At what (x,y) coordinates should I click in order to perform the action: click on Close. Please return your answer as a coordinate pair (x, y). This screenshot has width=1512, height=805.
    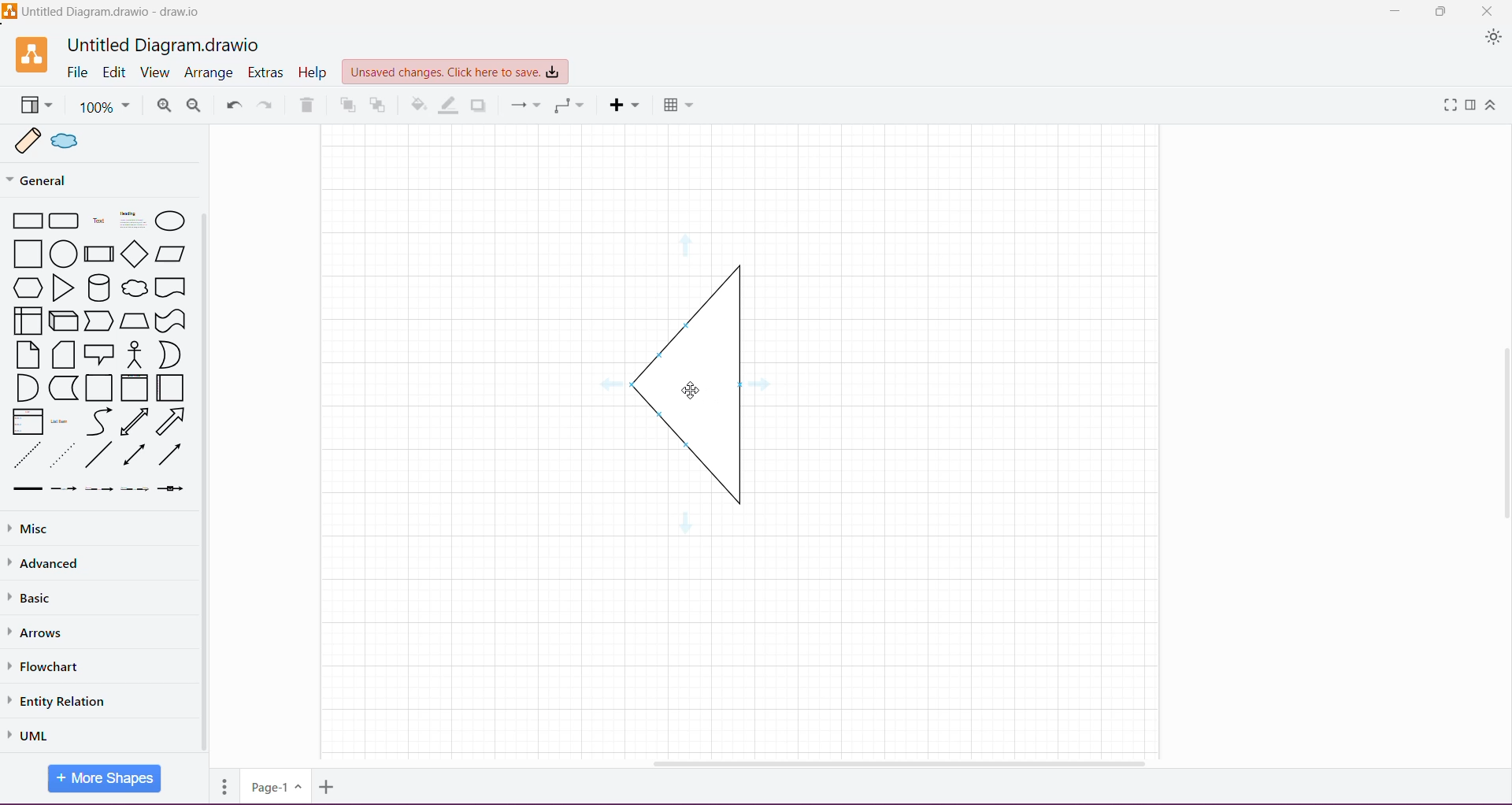
    Looking at the image, I should click on (1492, 10).